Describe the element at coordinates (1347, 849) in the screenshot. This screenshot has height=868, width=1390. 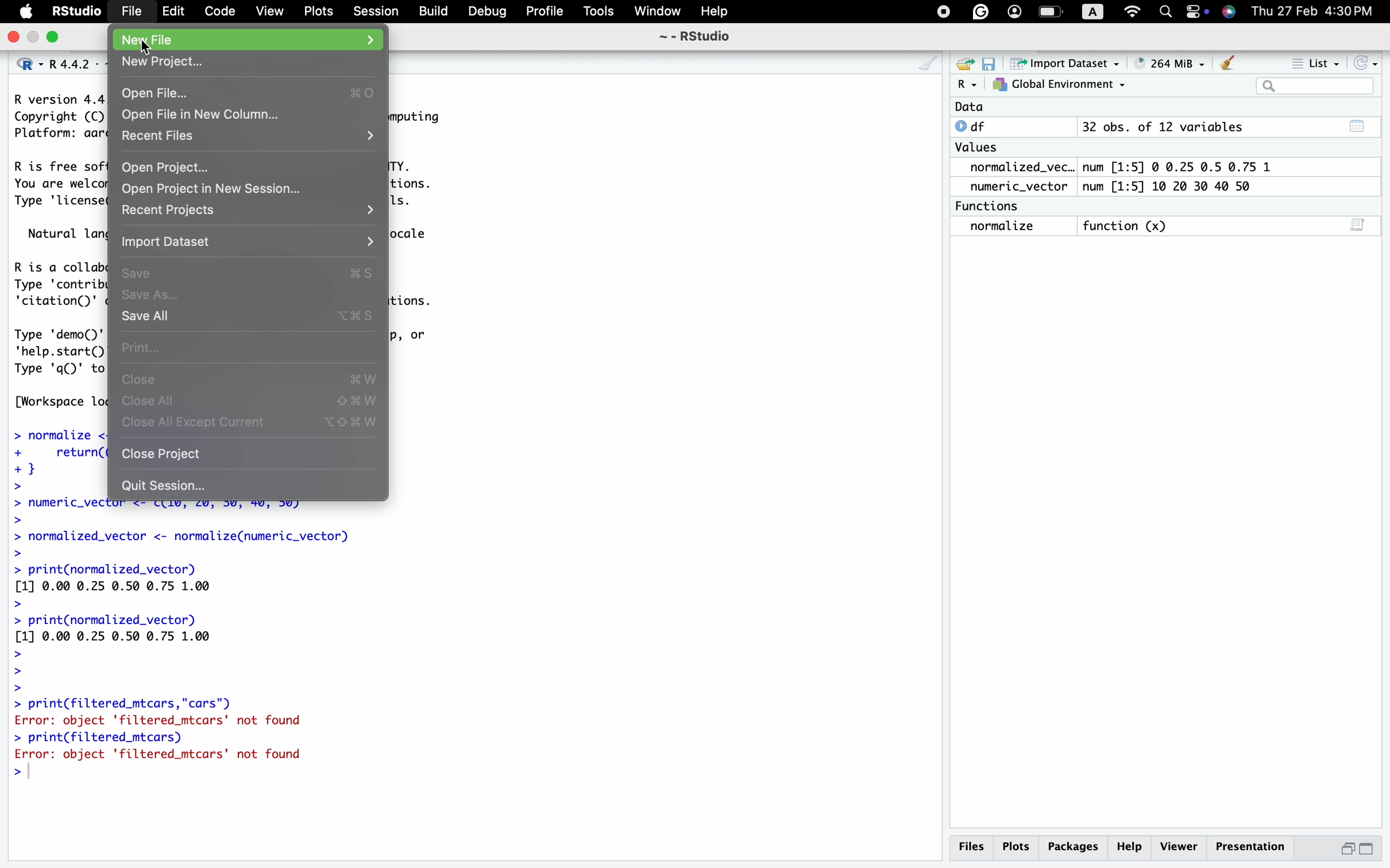
I see `minimize` at that location.